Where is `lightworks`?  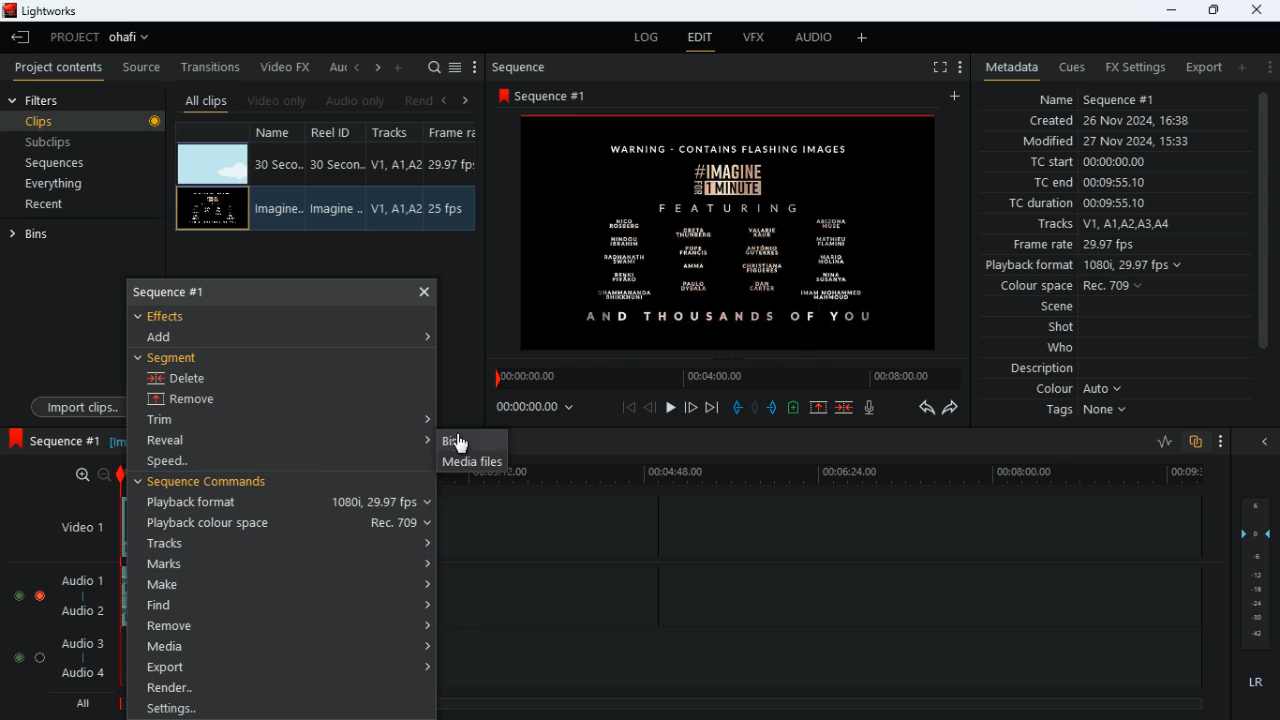 lightworks is located at coordinates (43, 11).